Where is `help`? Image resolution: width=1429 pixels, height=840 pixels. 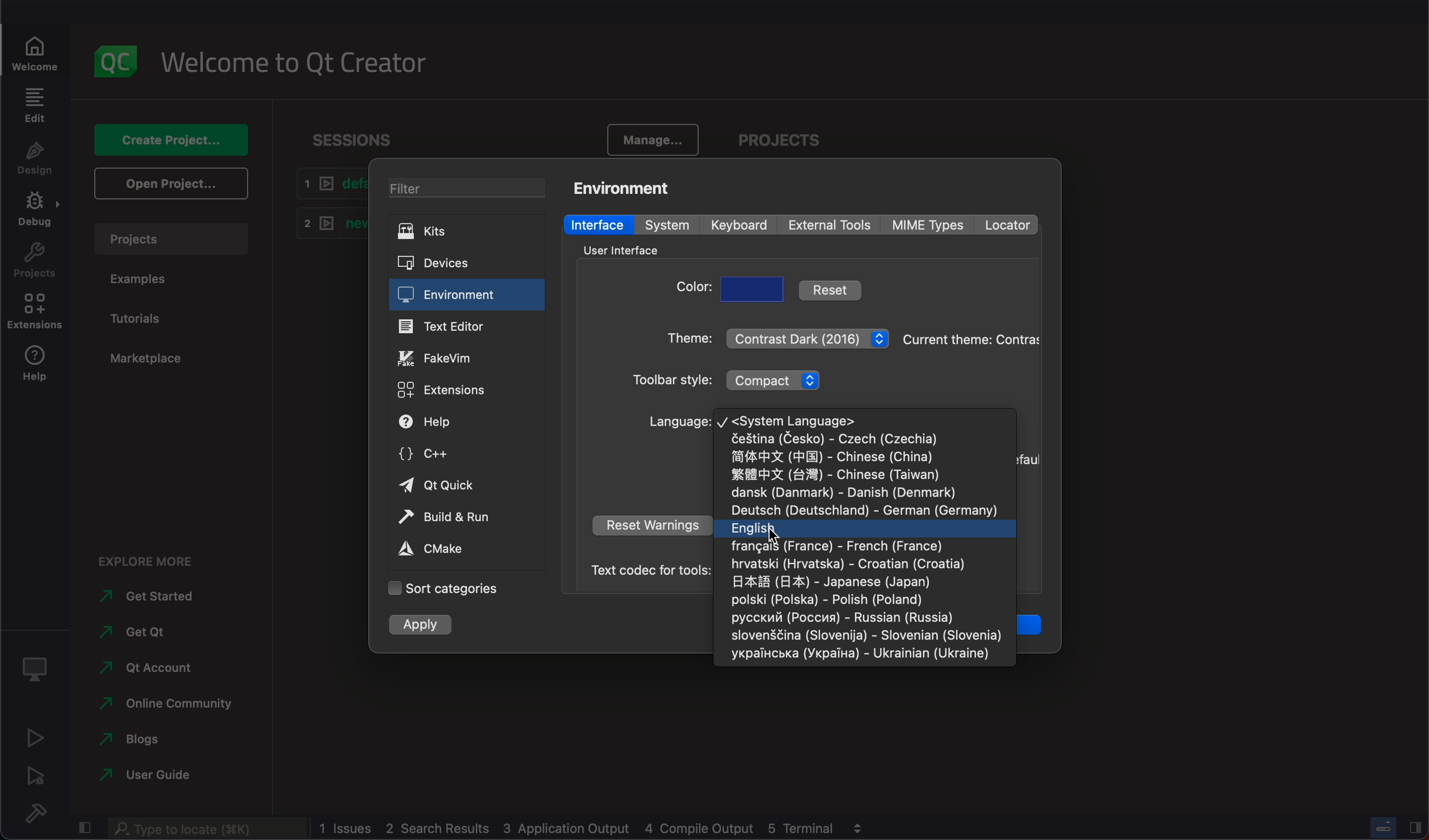 help is located at coordinates (467, 420).